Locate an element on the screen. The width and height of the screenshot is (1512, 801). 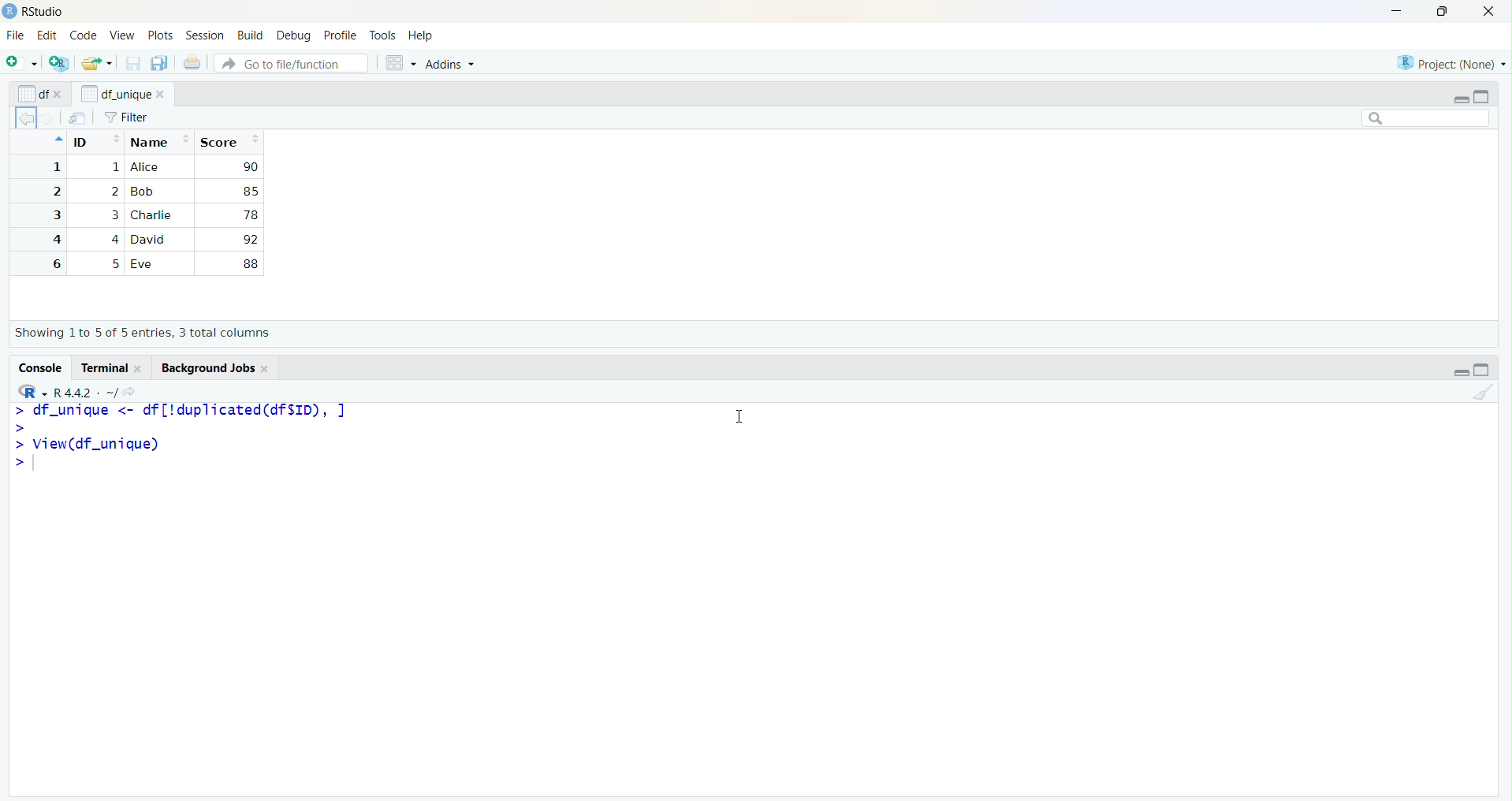
R 4.4.2 is located at coordinates (73, 393).